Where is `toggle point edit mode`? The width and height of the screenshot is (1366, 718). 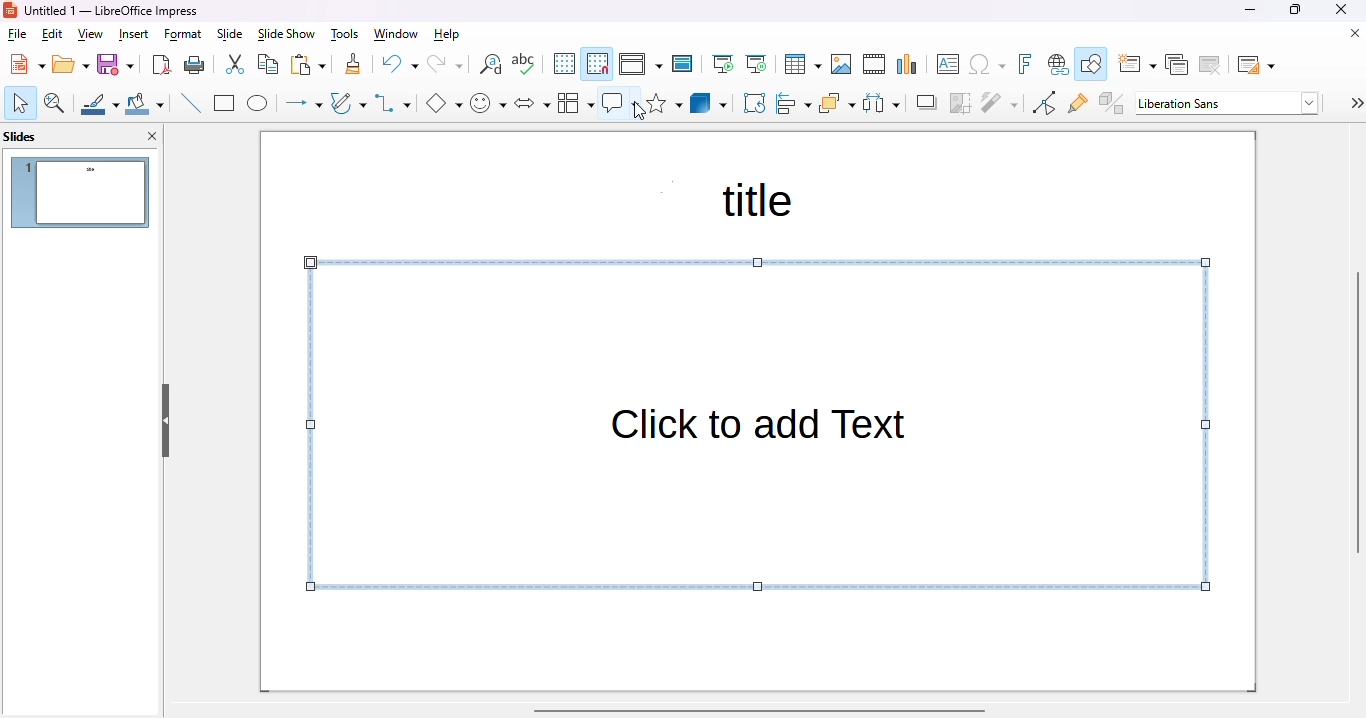
toggle point edit mode is located at coordinates (1045, 102).